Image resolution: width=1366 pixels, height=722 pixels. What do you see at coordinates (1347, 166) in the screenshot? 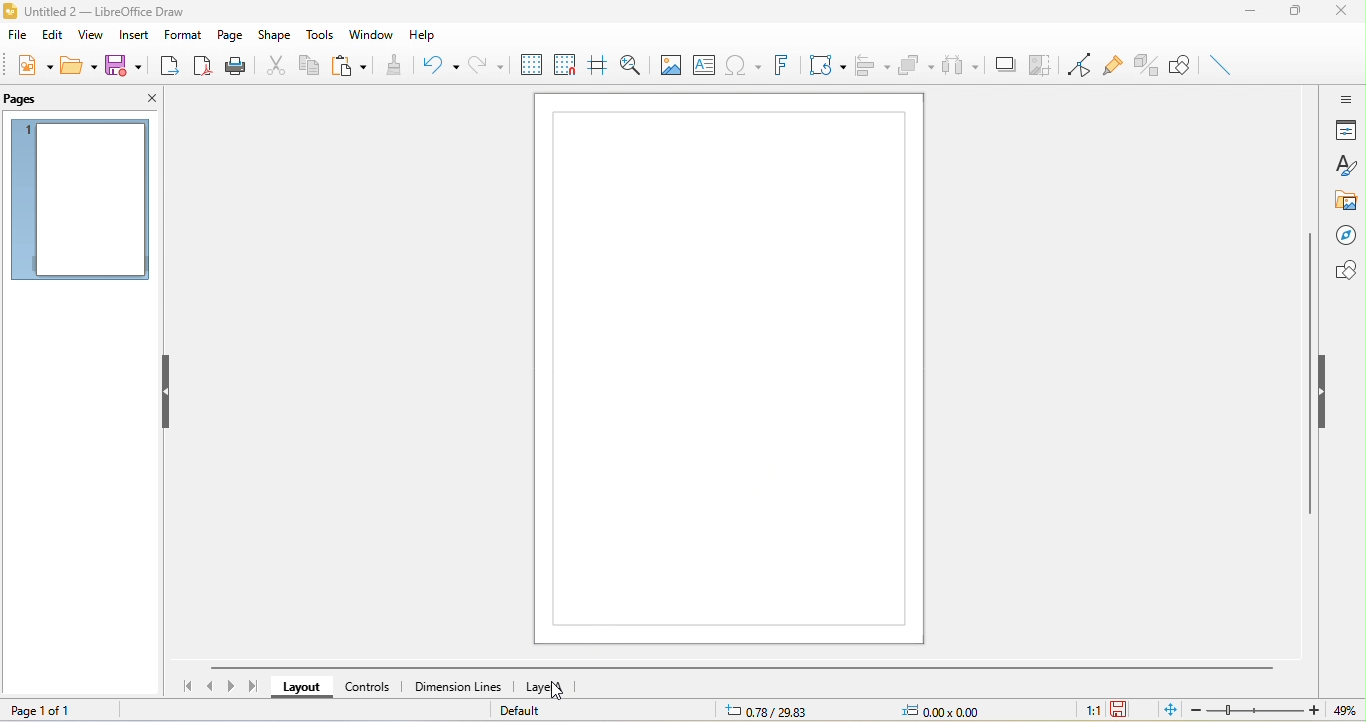
I see `styles` at bounding box center [1347, 166].